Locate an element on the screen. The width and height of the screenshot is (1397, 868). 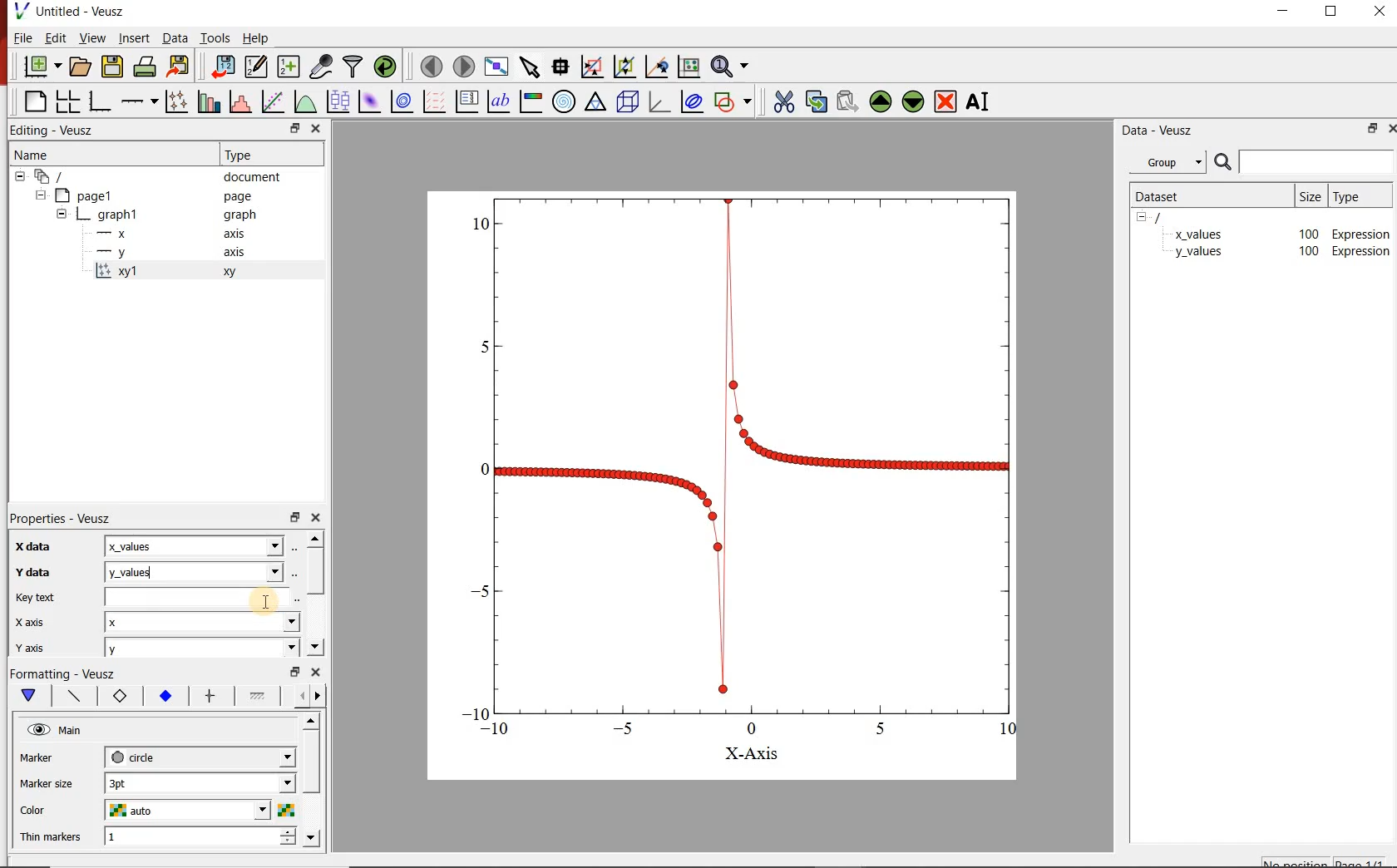
click to zoom out on graph axes is located at coordinates (622, 67).